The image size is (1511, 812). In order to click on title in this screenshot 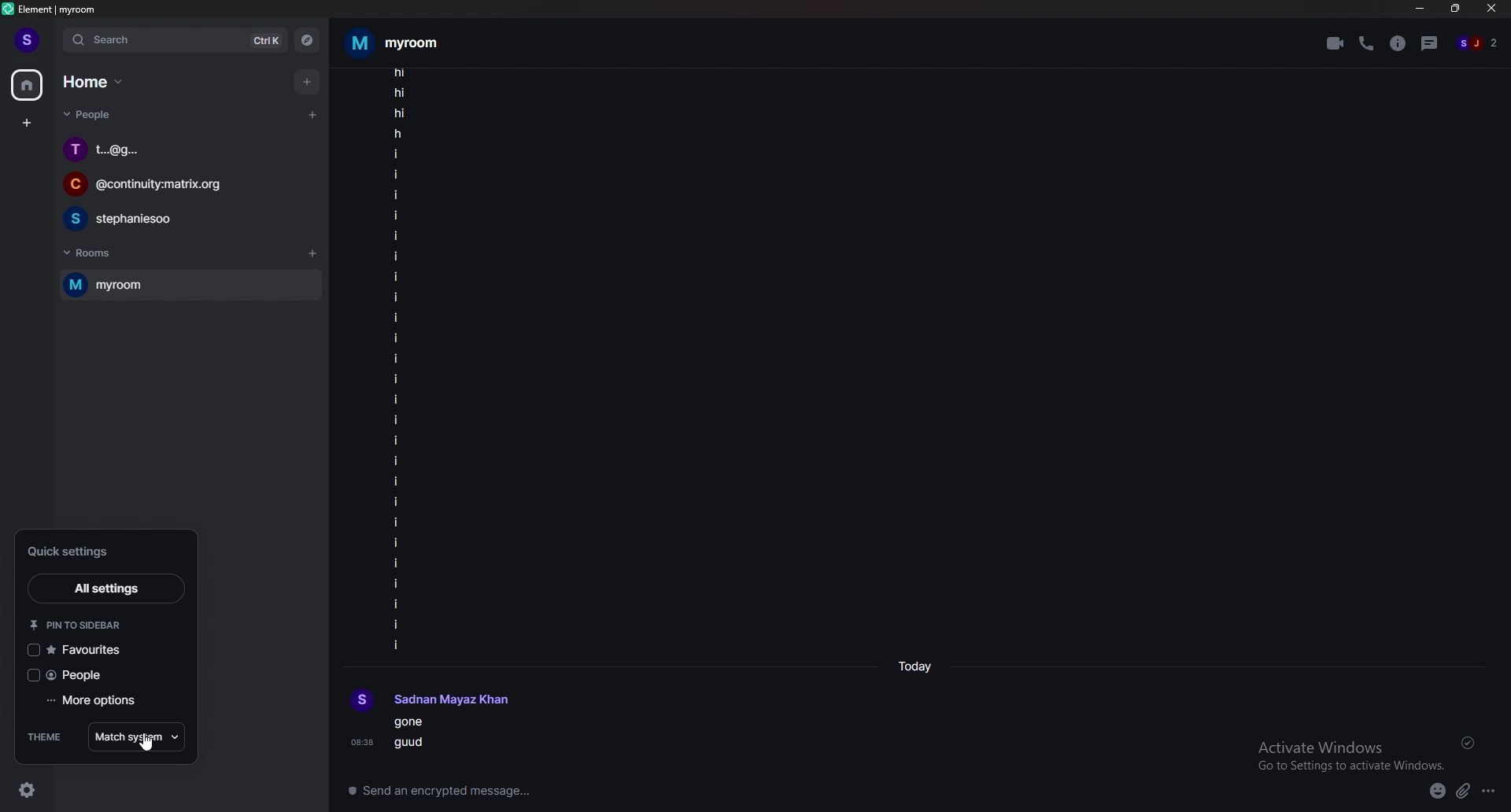, I will do `click(55, 9)`.